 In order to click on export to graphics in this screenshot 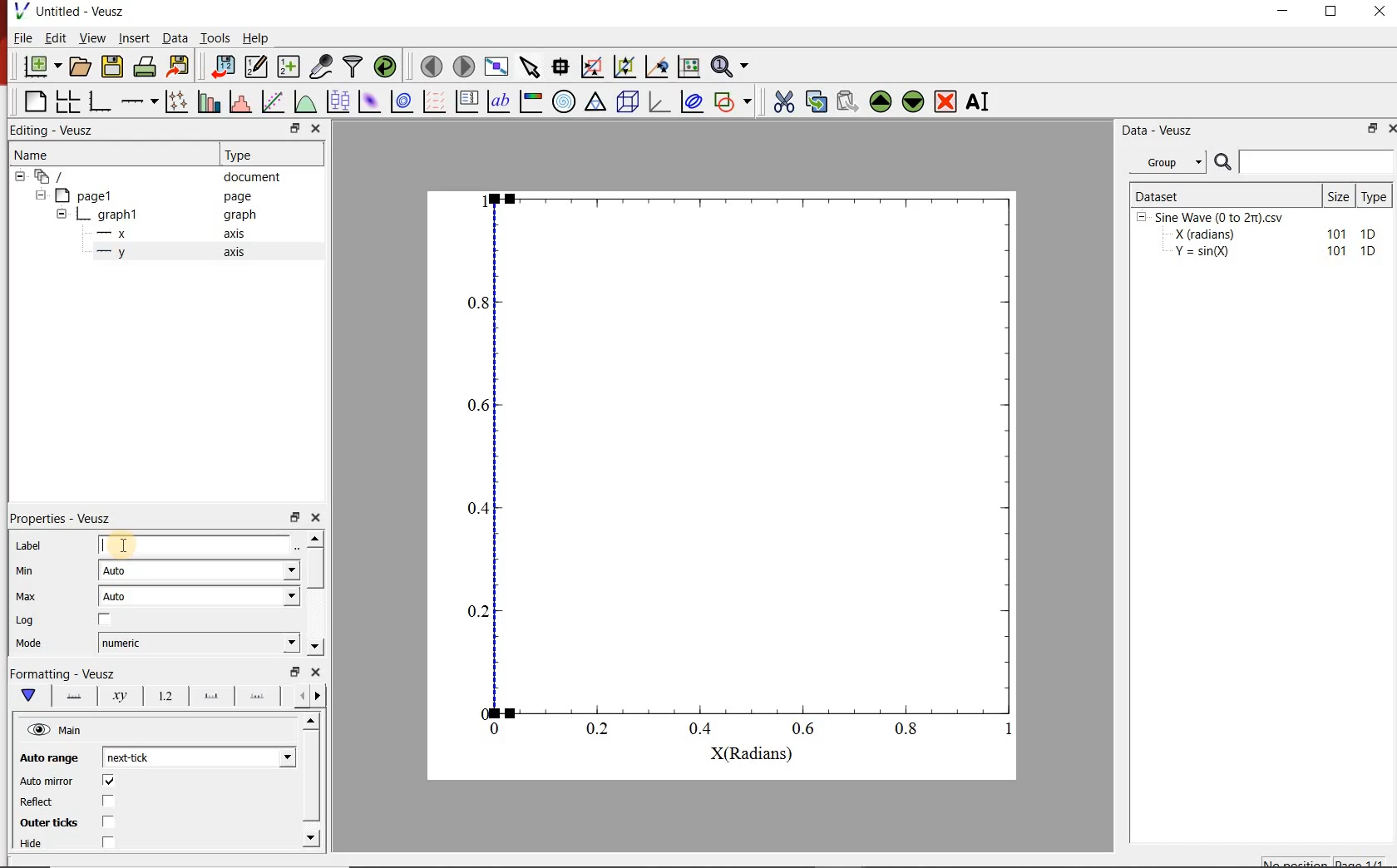, I will do `click(180, 66)`.